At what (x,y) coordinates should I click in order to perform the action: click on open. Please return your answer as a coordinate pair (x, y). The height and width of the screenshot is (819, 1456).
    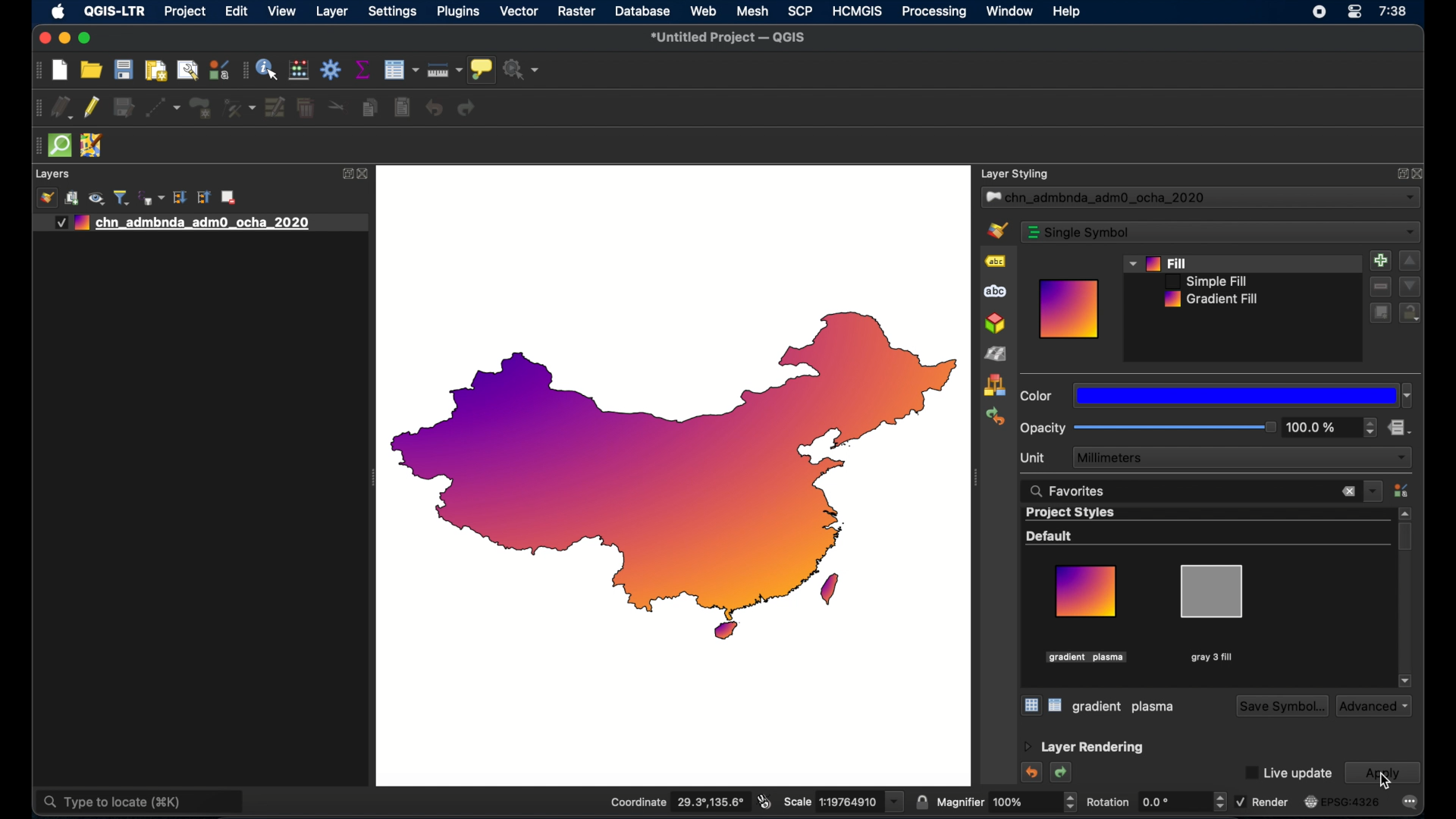
    Looking at the image, I should click on (92, 69).